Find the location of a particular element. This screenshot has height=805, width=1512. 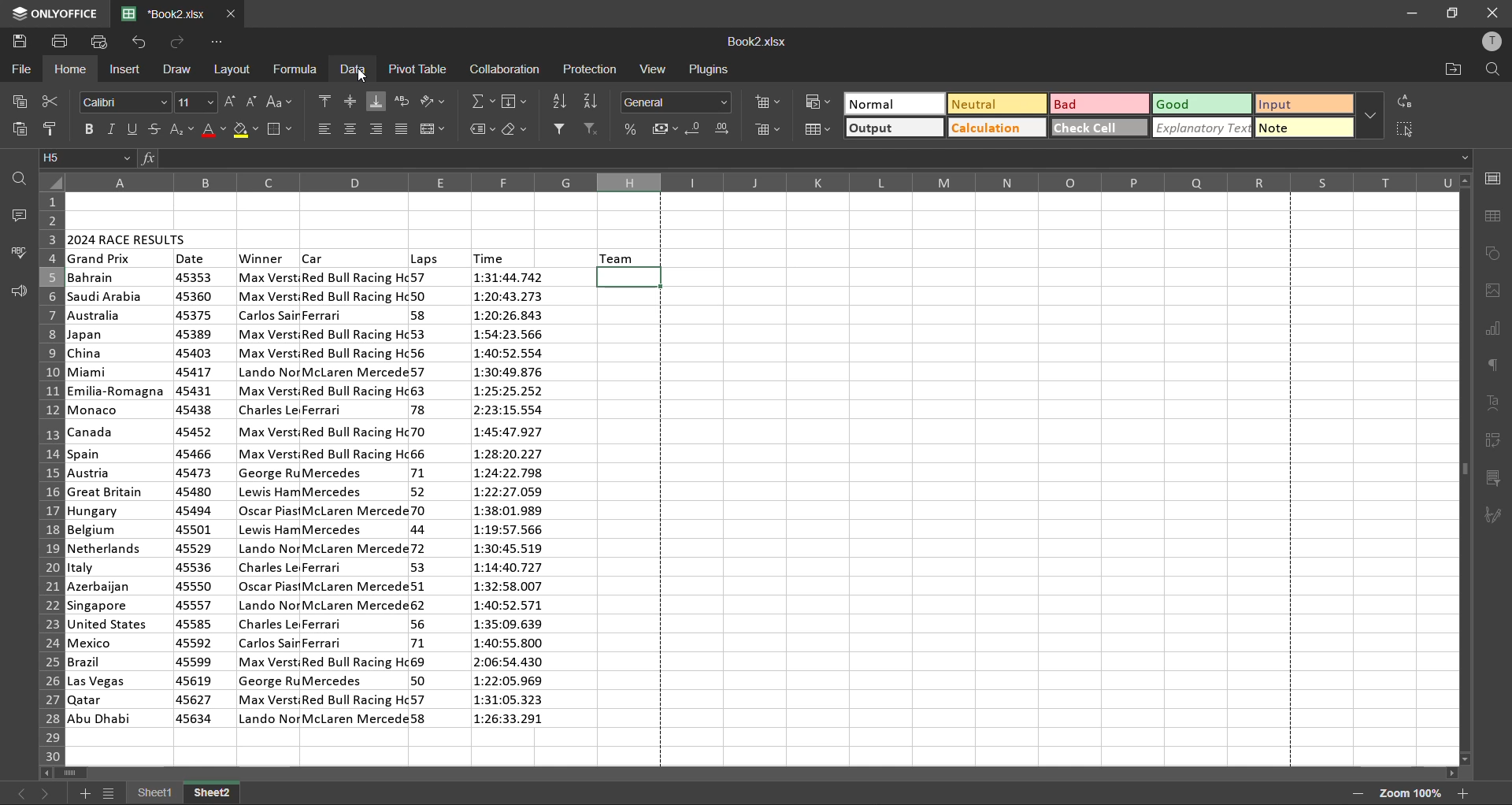

grand prix is located at coordinates (101, 259).